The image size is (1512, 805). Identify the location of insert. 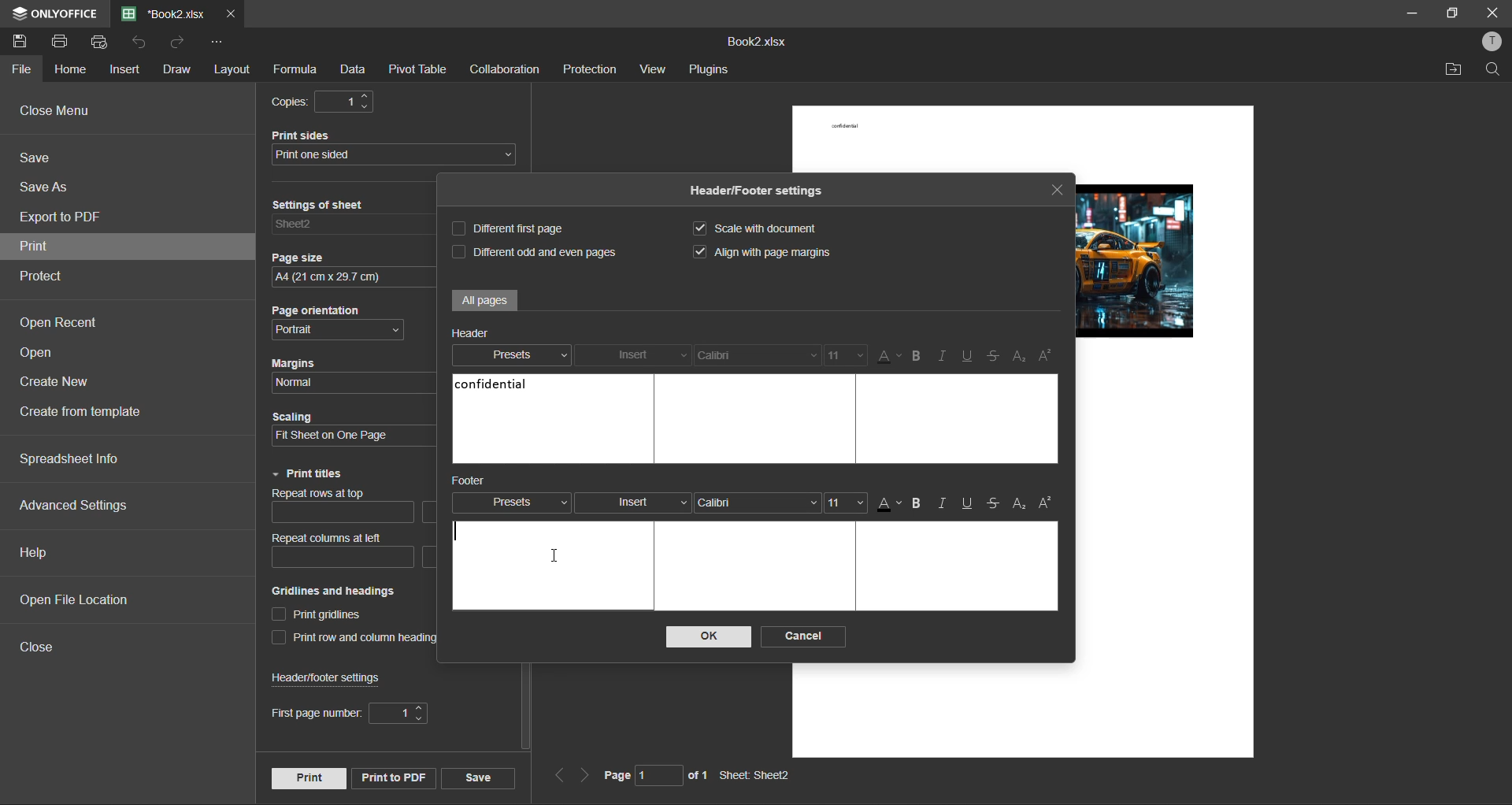
(127, 70).